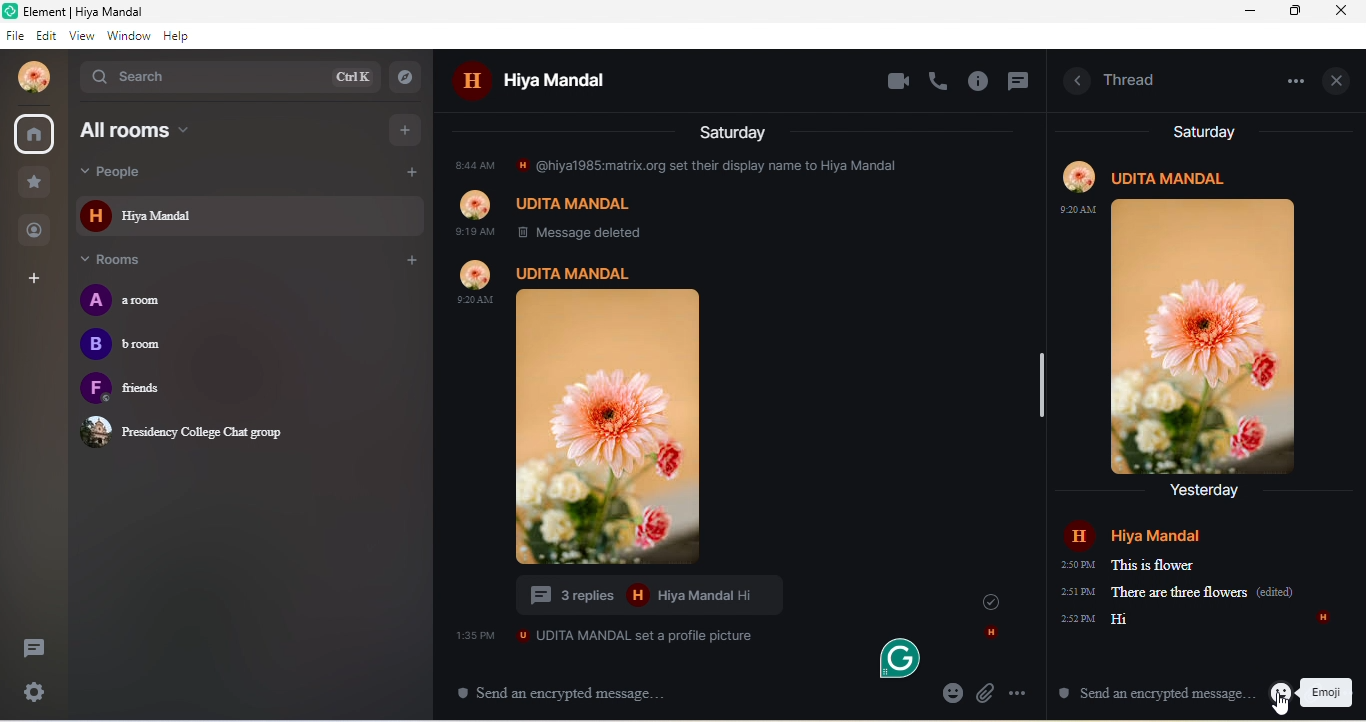  What do you see at coordinates (1335, 82) in the screenshot?
I see `close` at bounding box center [1335, 82].